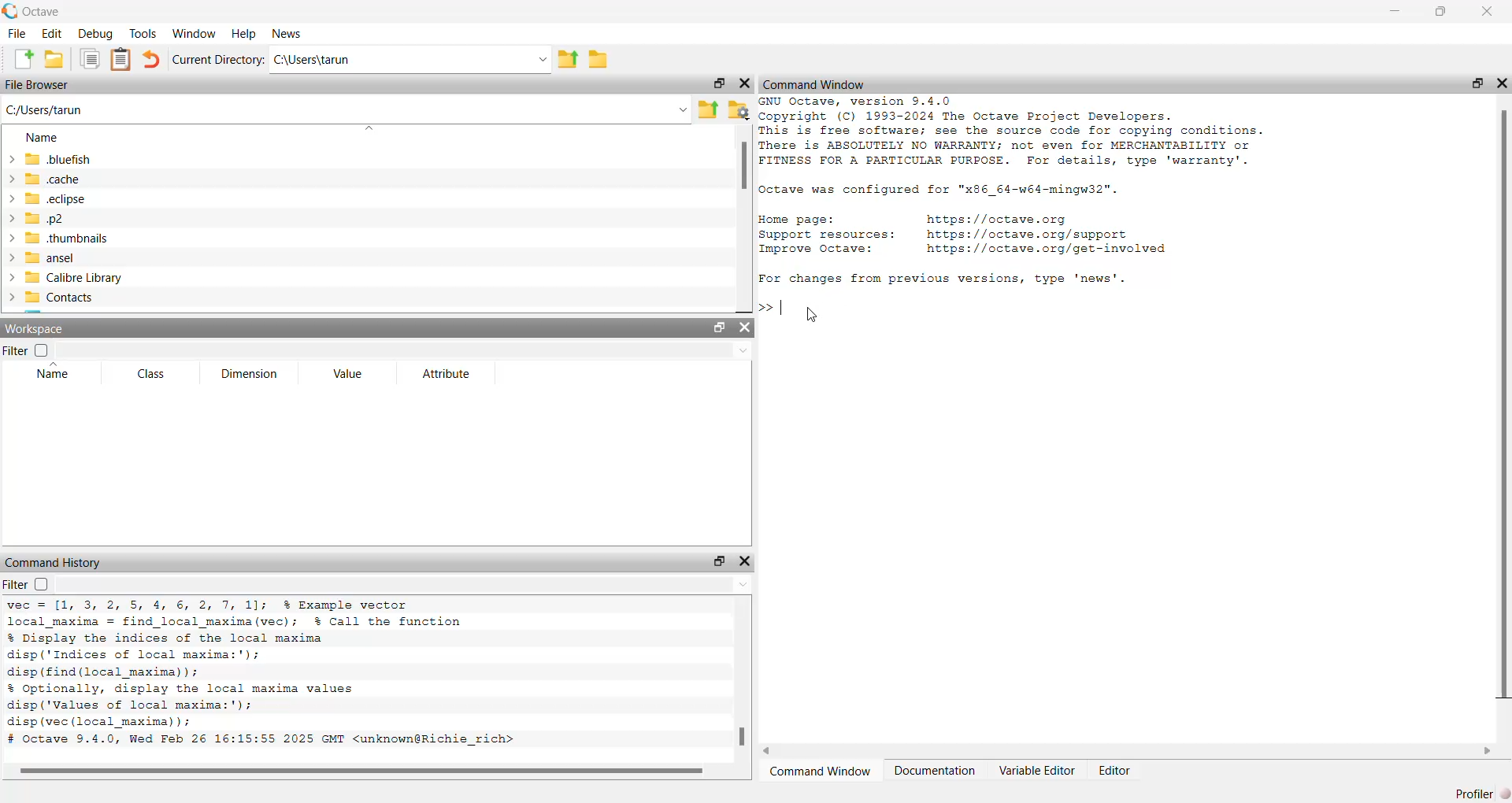 The height and width of the screenshot is (803, 1512). What do you see at coordinates (739, 109) in the screenshot?
I see `Browse your files` at bounding box center [739, 109].